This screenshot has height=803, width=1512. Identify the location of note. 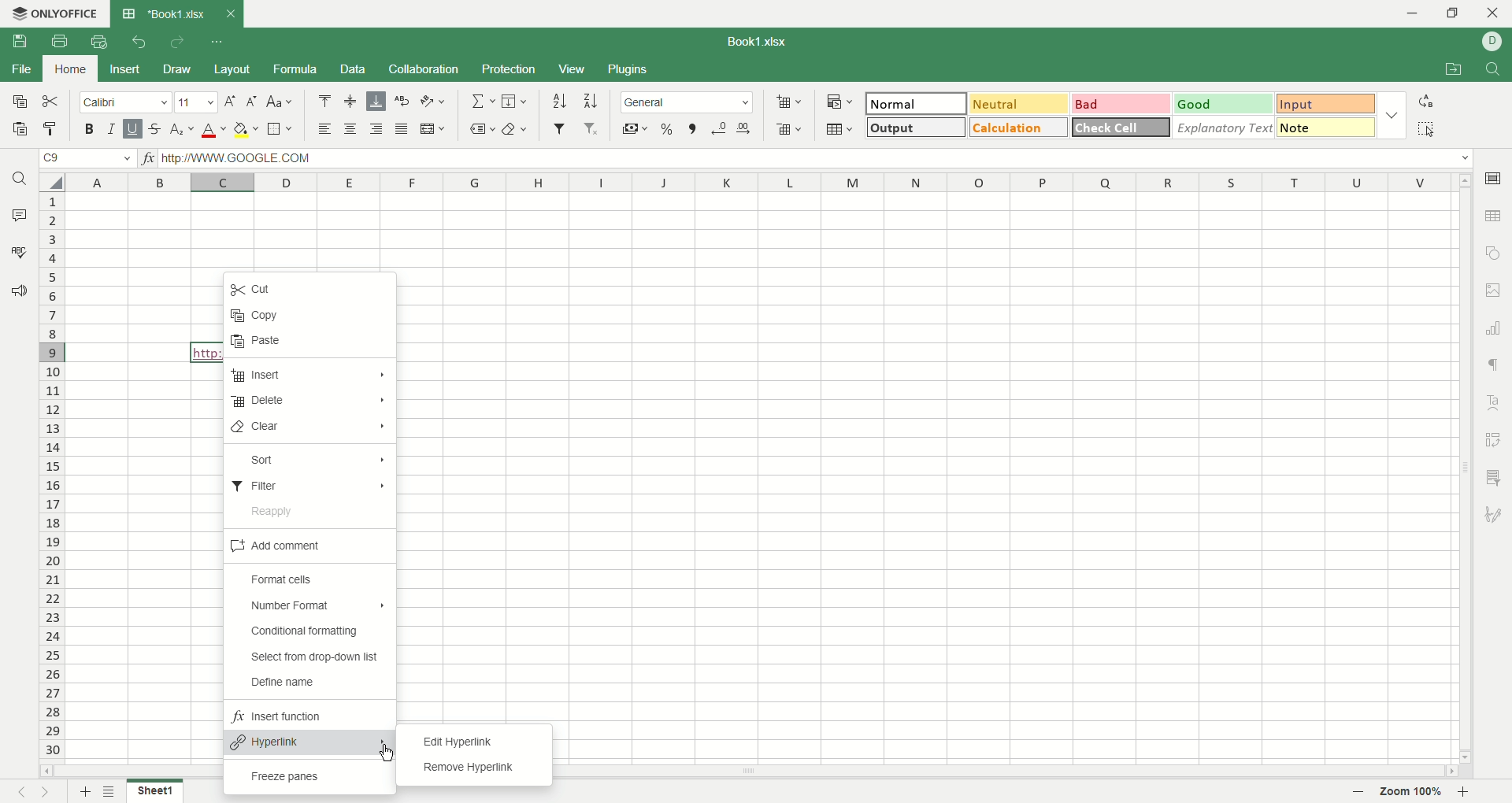
(1326, 126).